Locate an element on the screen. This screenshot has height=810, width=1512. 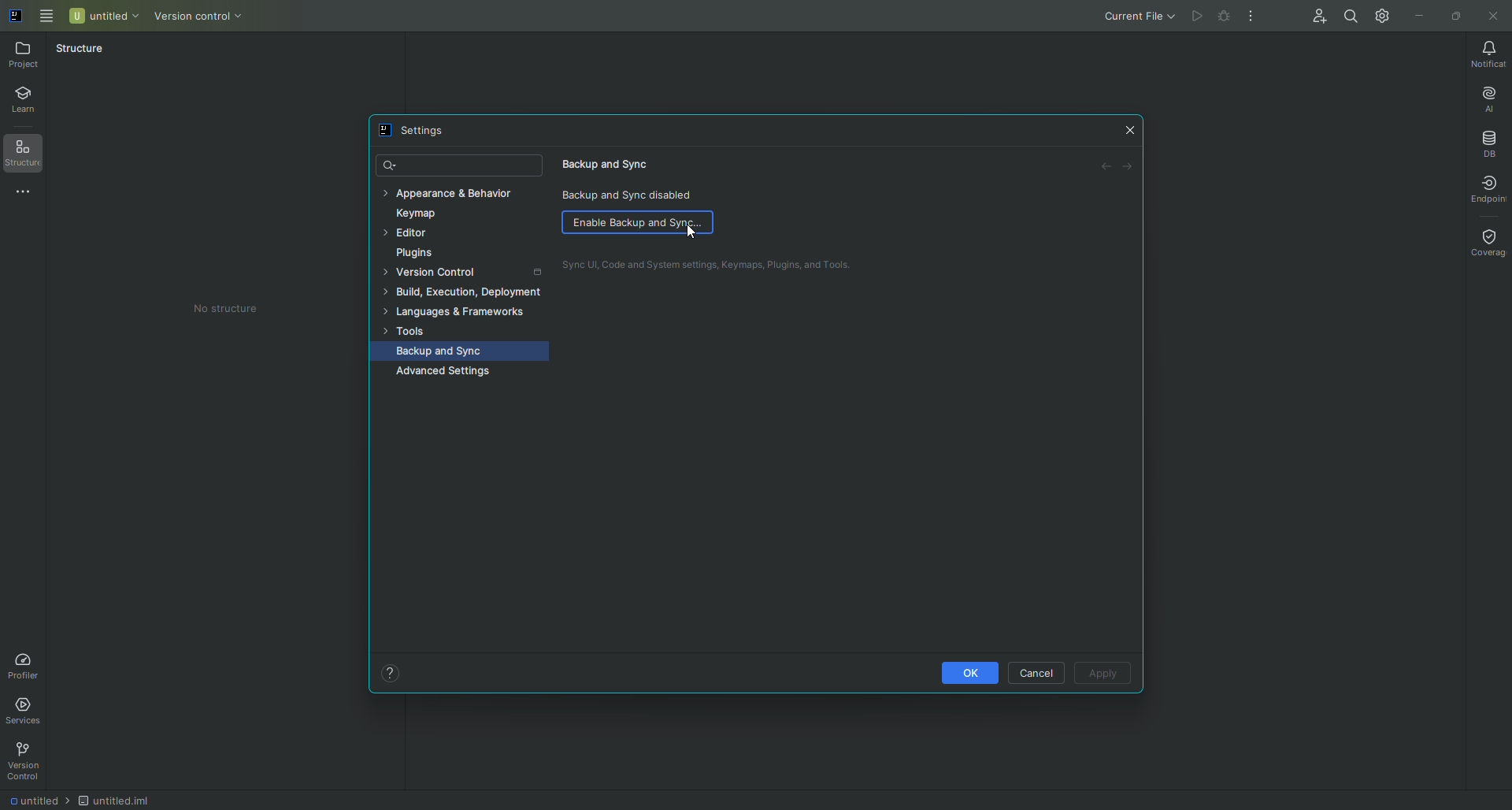
Restore is located at coordinates (1454, 14).